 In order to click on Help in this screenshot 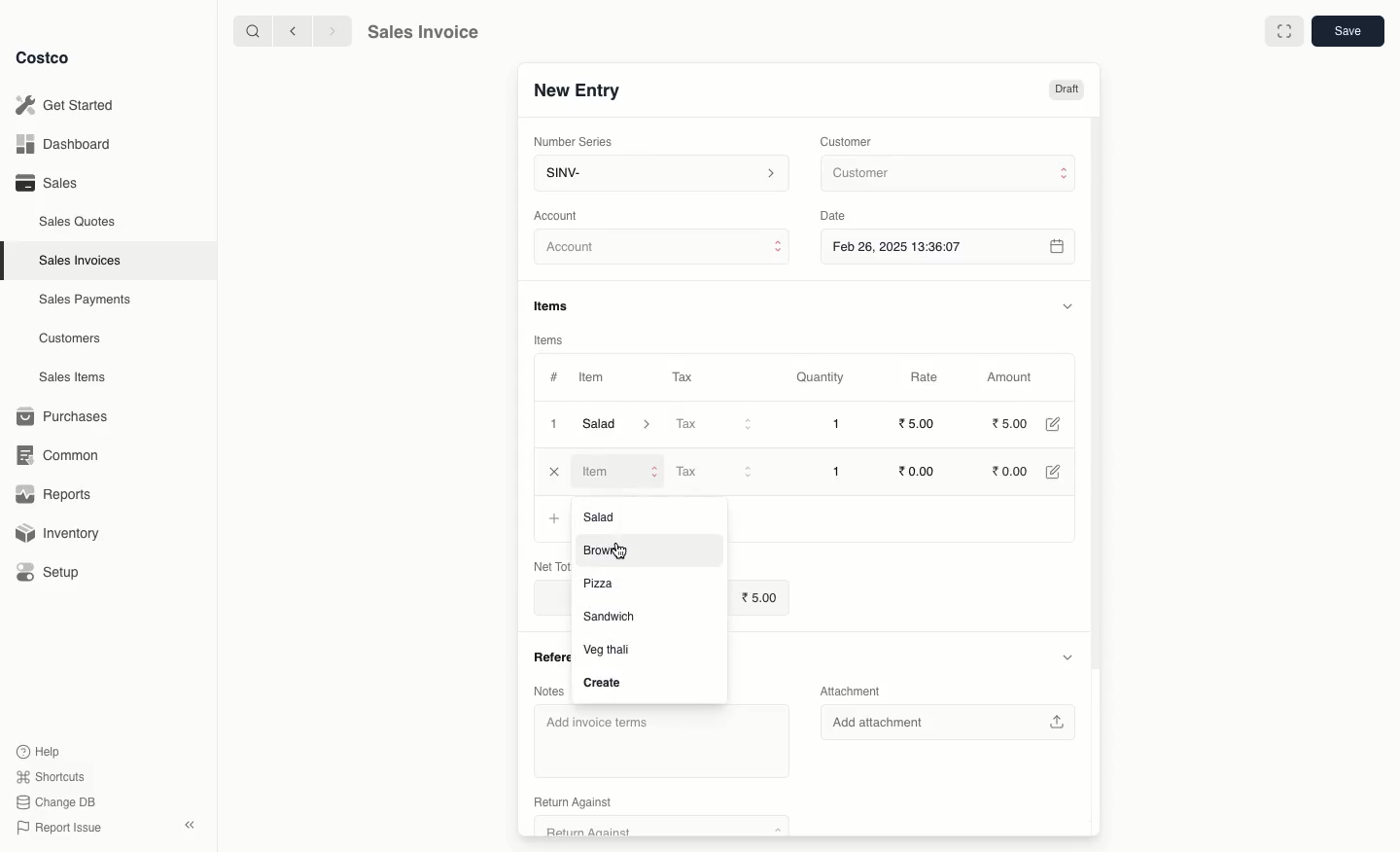, I will do `click(40, 750)`.